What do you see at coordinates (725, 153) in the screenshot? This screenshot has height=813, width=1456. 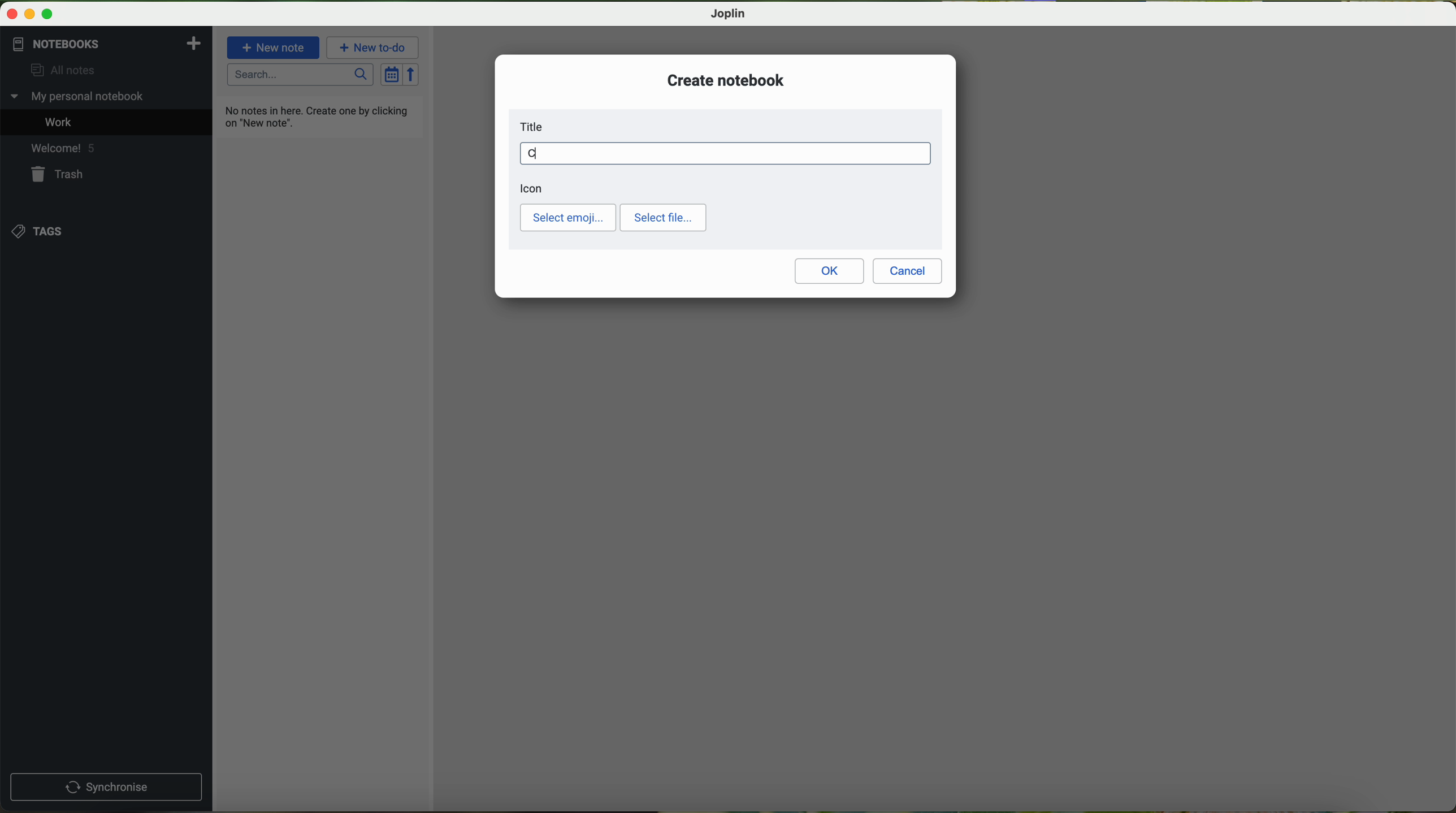 I see `typing` at bounding box center [725, 153].